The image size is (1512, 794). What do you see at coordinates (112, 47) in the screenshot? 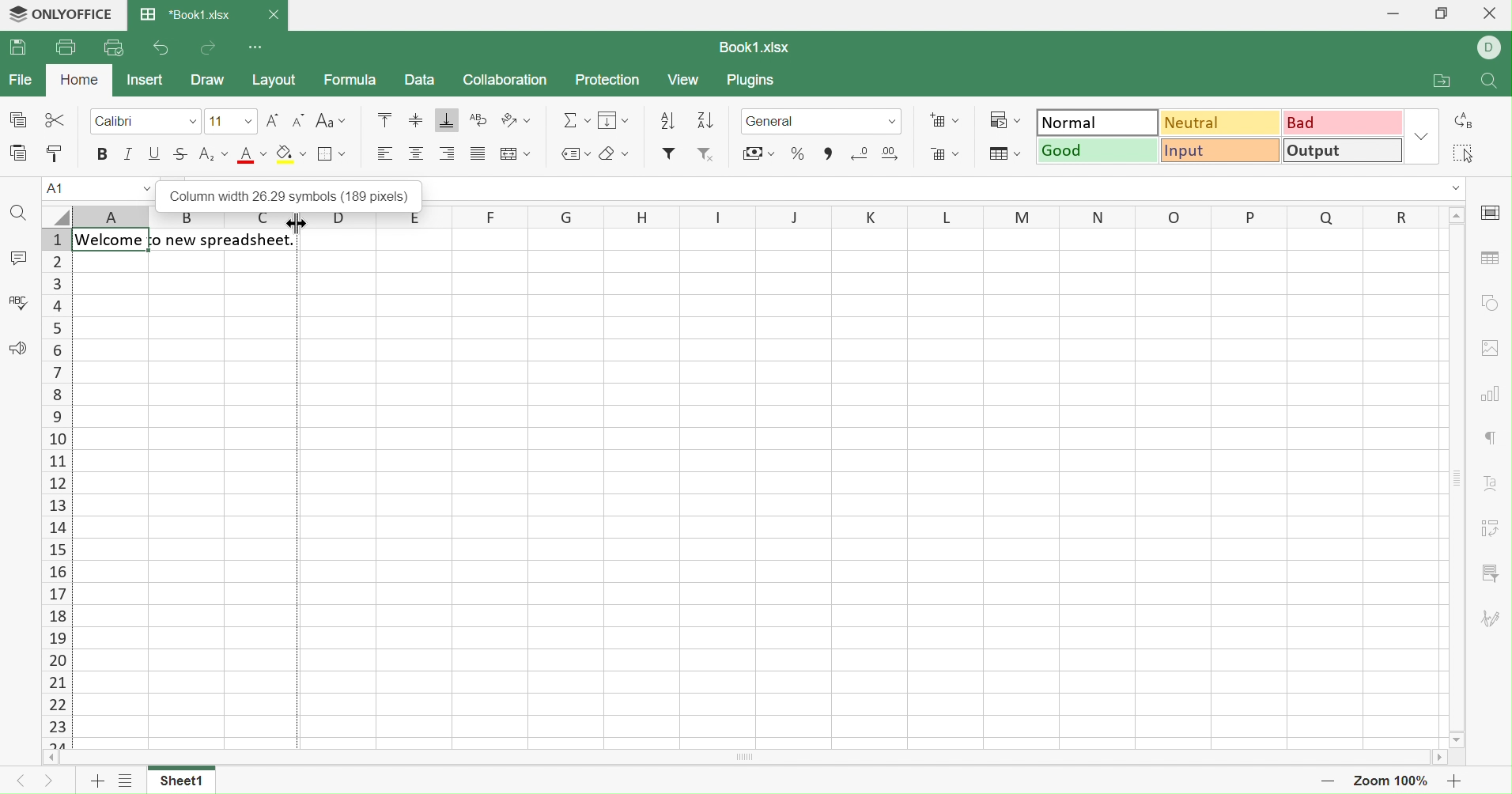
I see `Quick Print` at bounding box center [112, 47].